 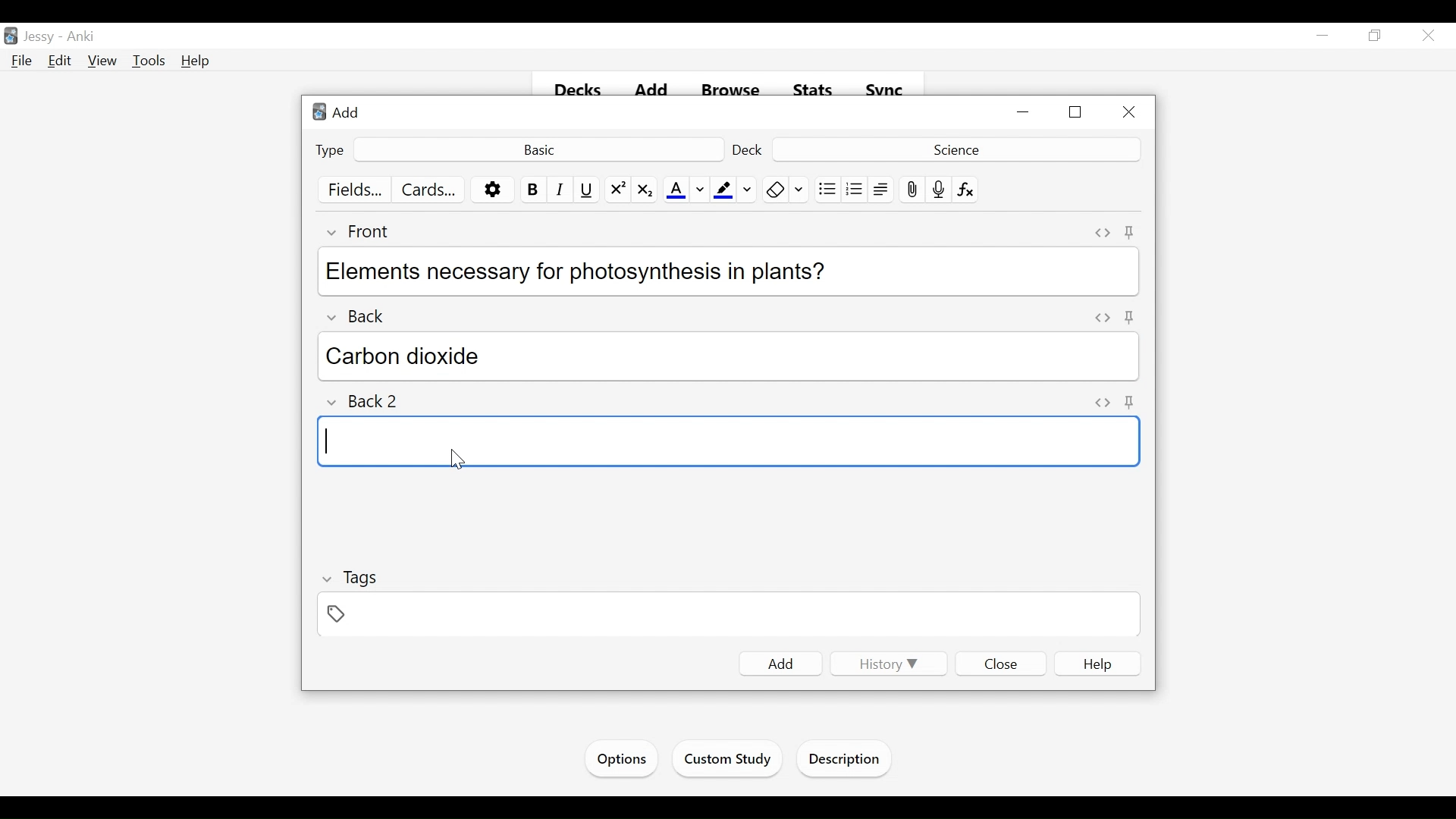 I want to click on Front, so click(x=367, y=231).